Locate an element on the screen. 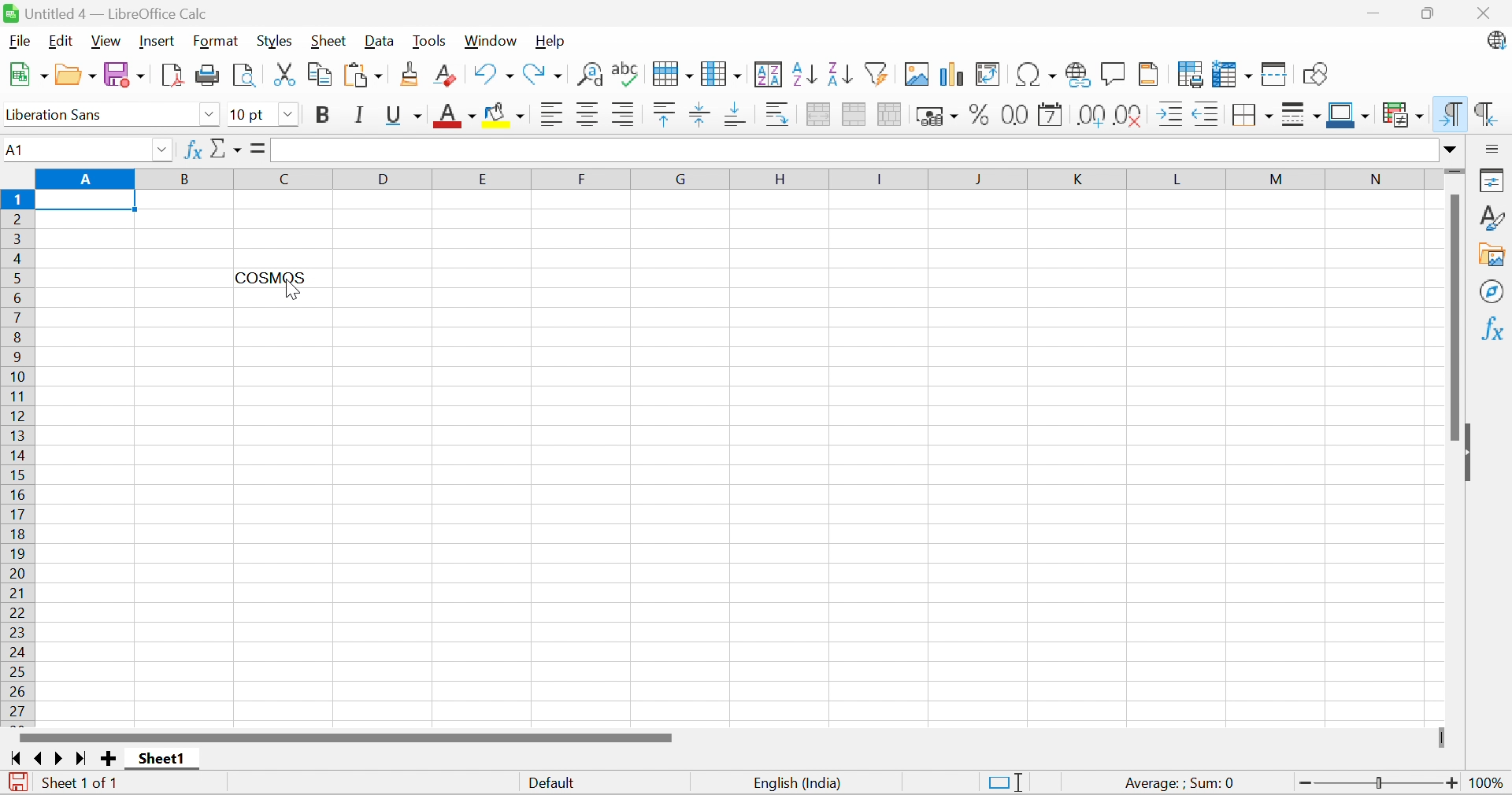 Image resolution: width=1512 pixels, height=795 pixels. Clear Direct Formatting is located at coordinates (450, 76).